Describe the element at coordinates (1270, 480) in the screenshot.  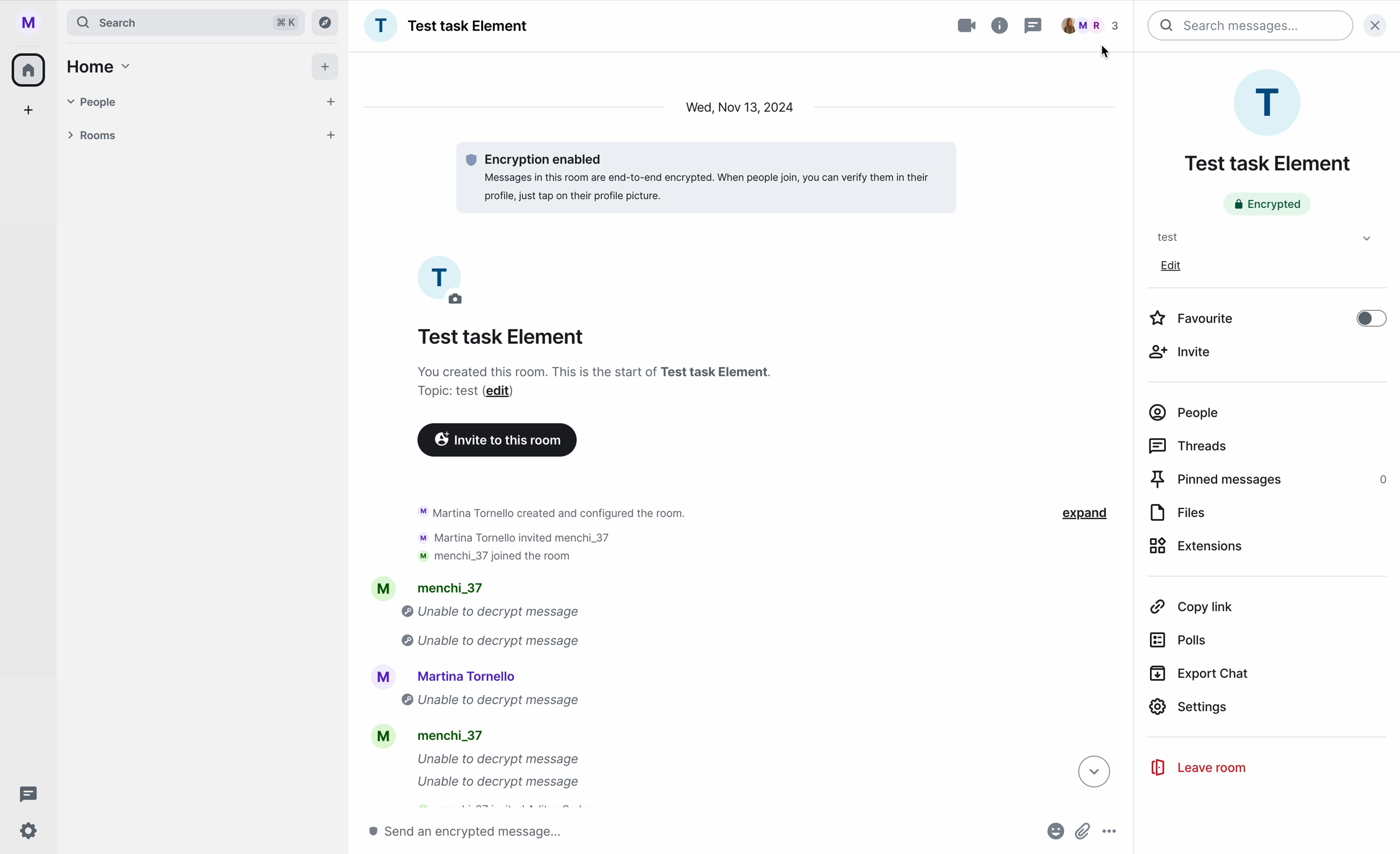
I see `pinned messages 0` at that location.